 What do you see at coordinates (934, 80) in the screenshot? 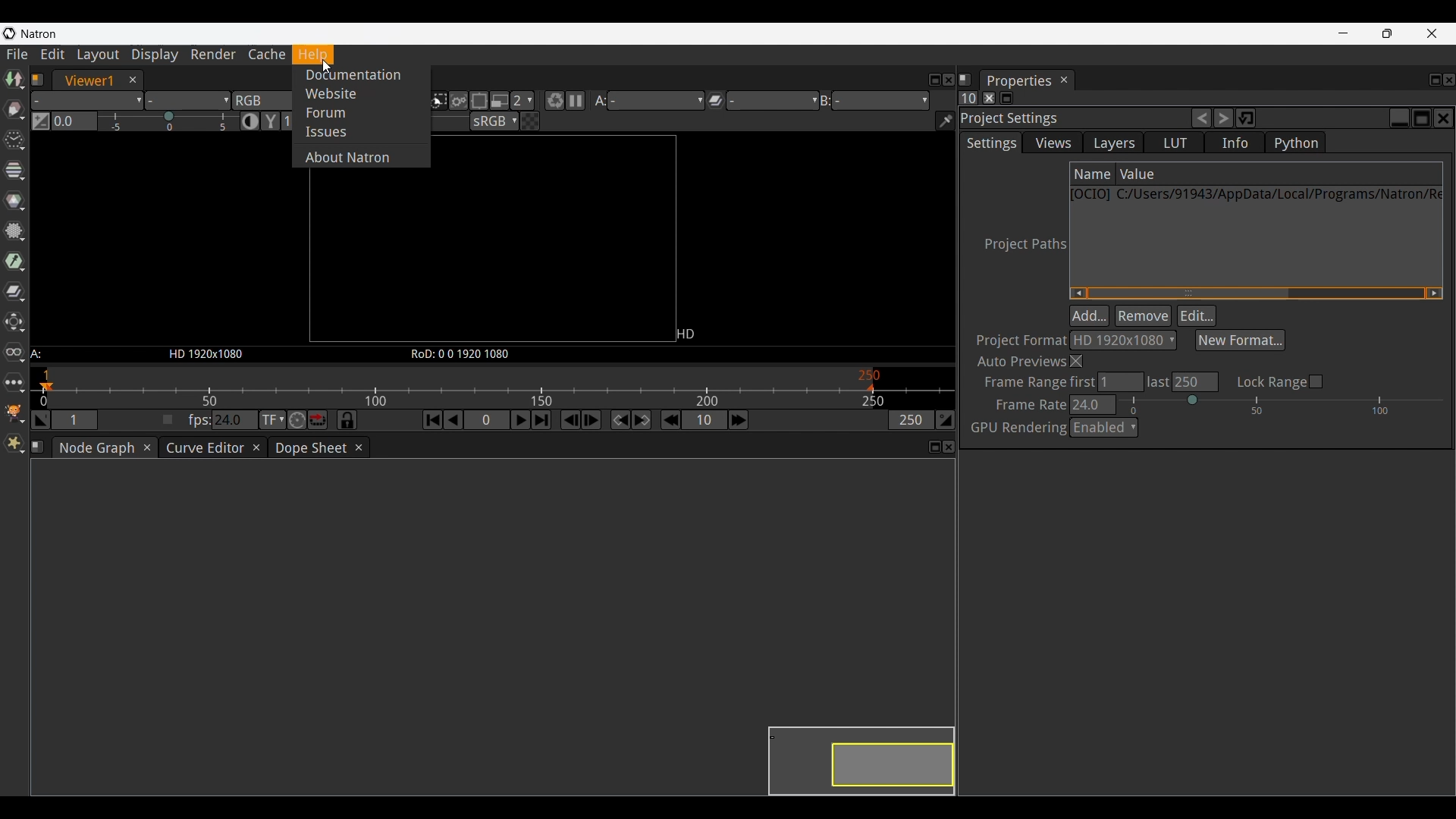
I see `Float pane 1` at bounding box center [934, 80].